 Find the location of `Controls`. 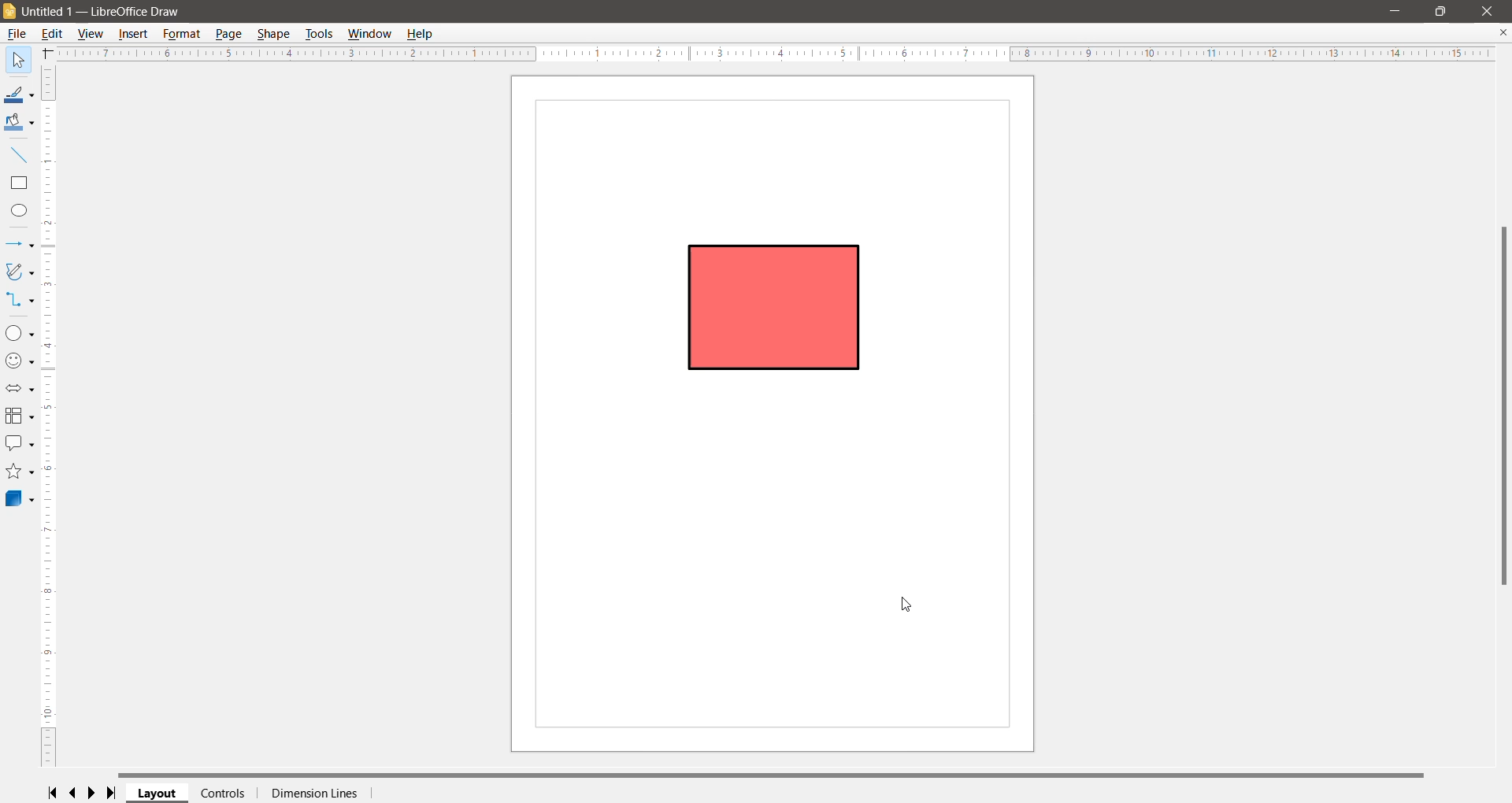

Controls is located at coordinates (224, 794).